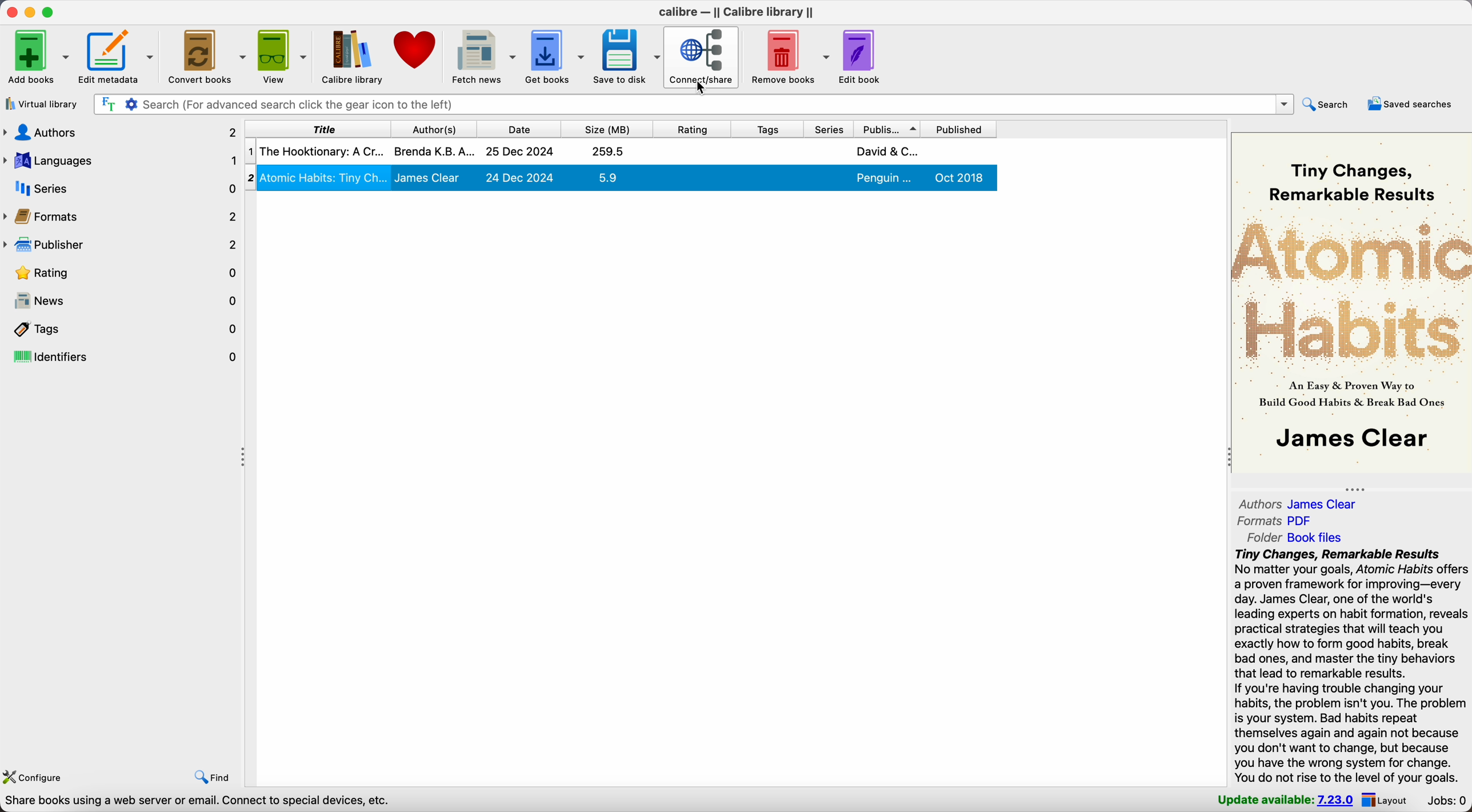 This screenshot has height=812, width=1472. Describe the element at coordinates (885, 178) in the screenshot. I see `Penguin` at that location.